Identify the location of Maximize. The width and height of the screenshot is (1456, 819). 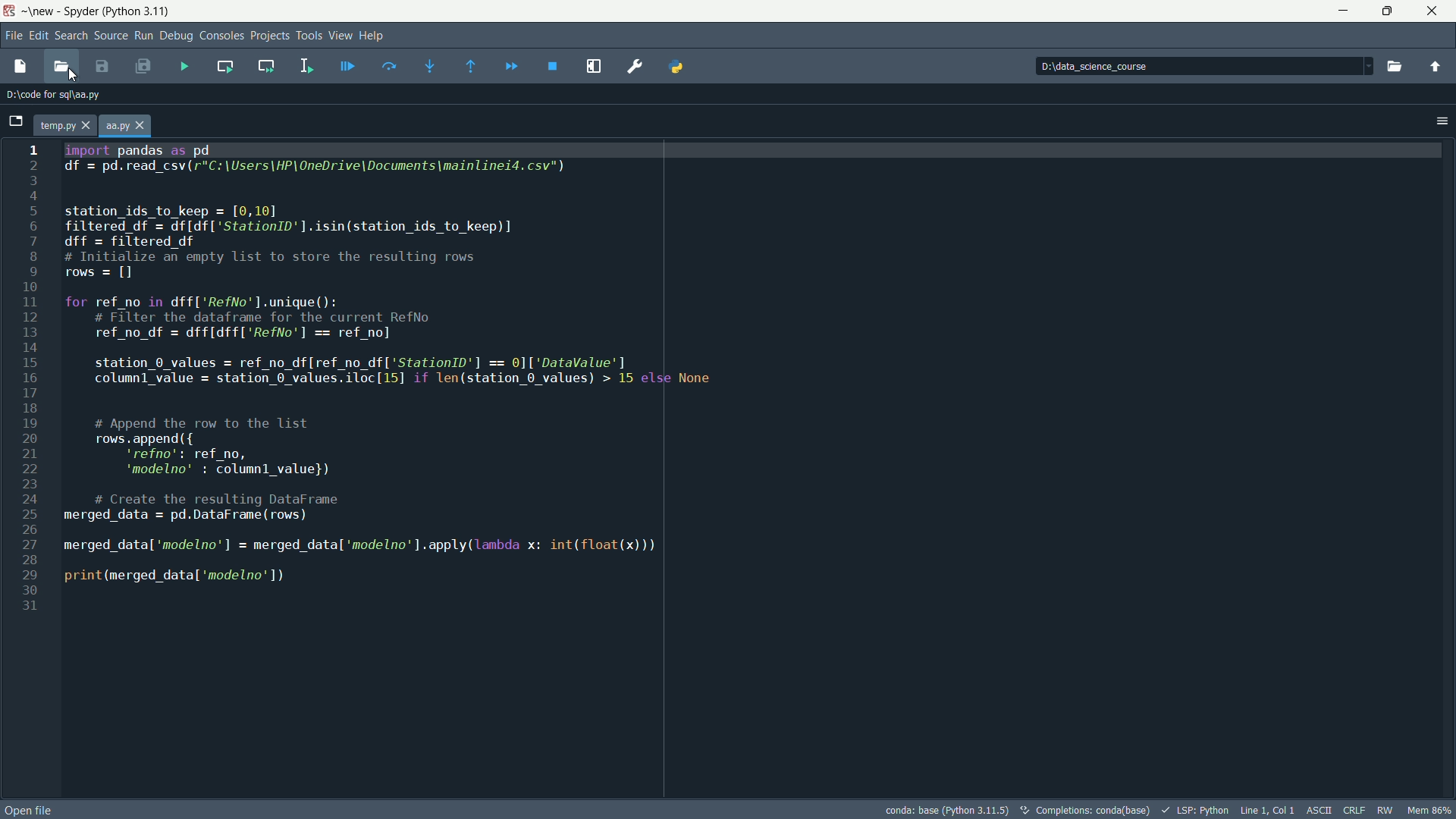
(1387, 11).